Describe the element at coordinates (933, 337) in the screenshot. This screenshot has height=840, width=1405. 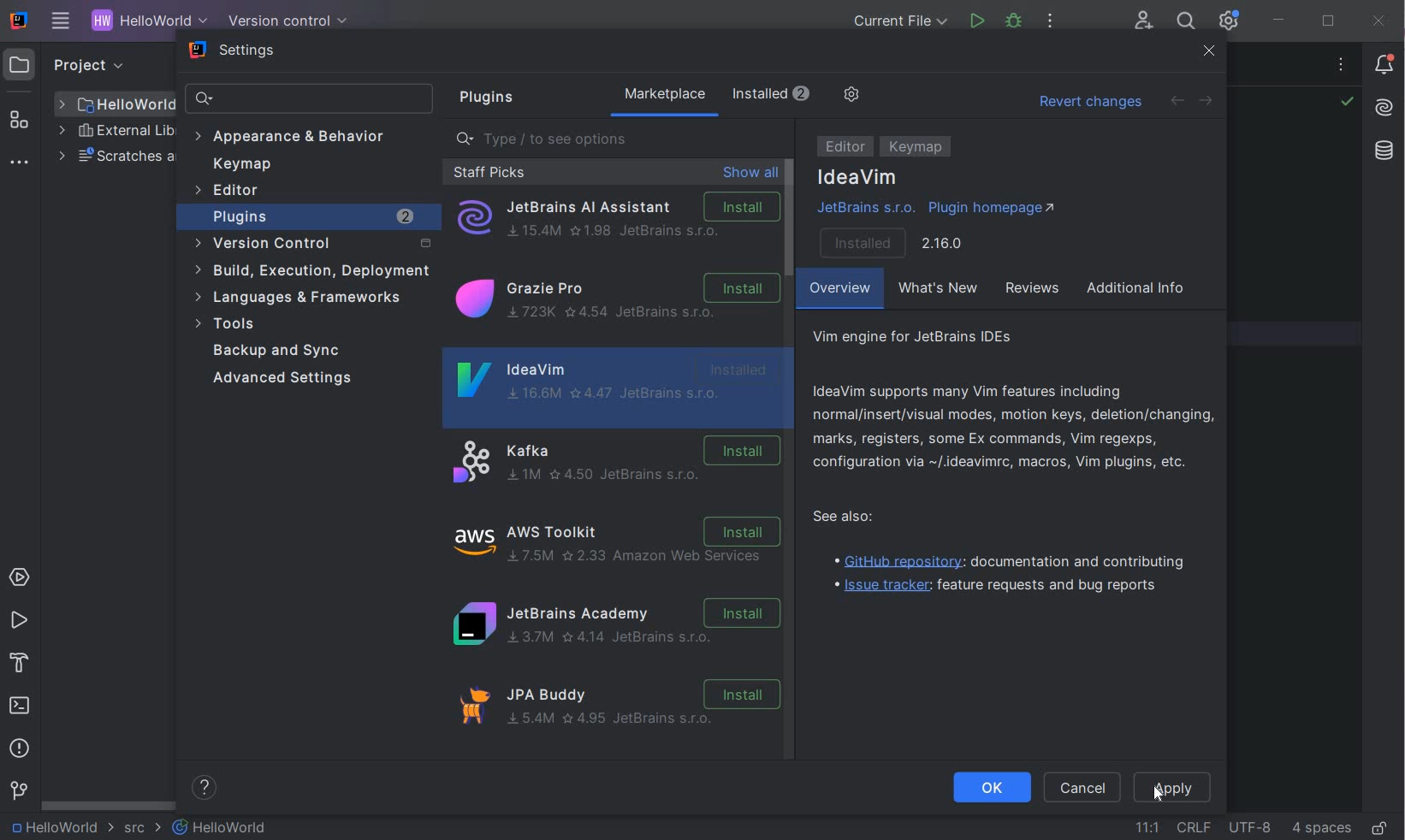
I see `vim engine for JetBrains IDEs` at that location.